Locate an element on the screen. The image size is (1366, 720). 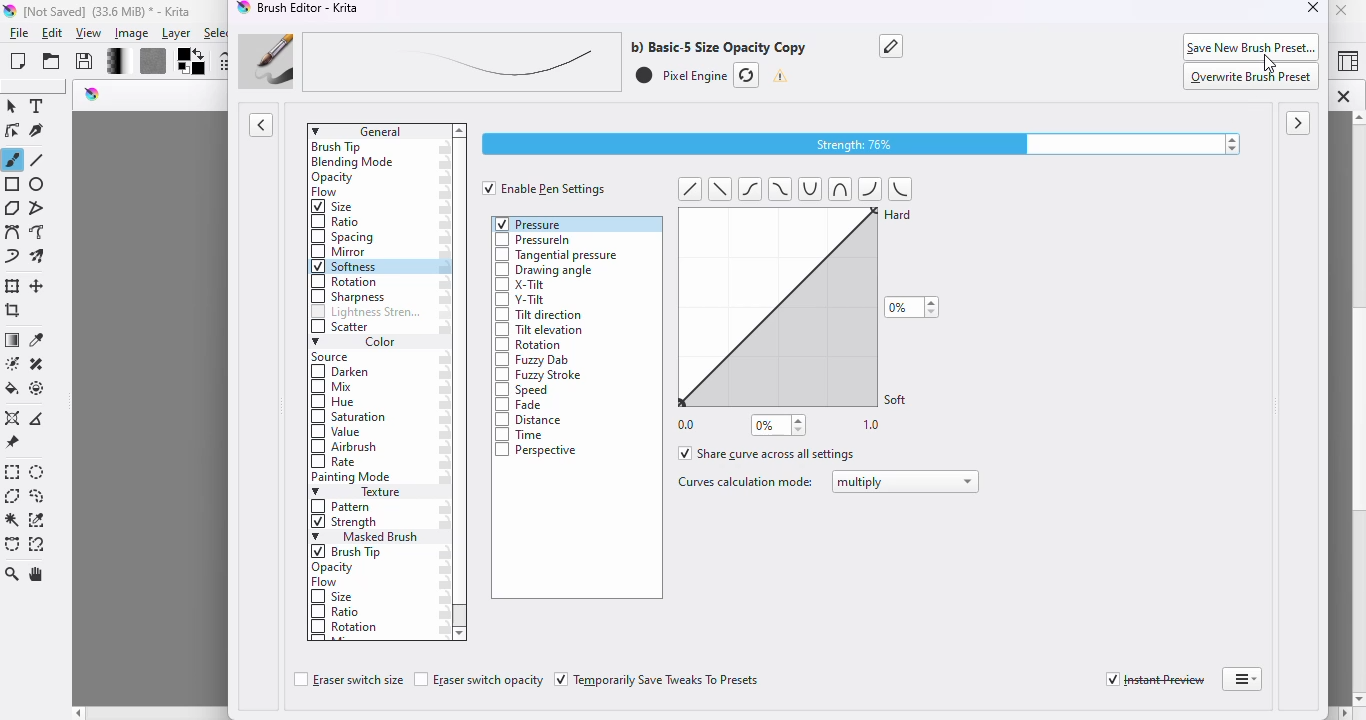
rectangular selection tool is located at coordinates (13, 472).